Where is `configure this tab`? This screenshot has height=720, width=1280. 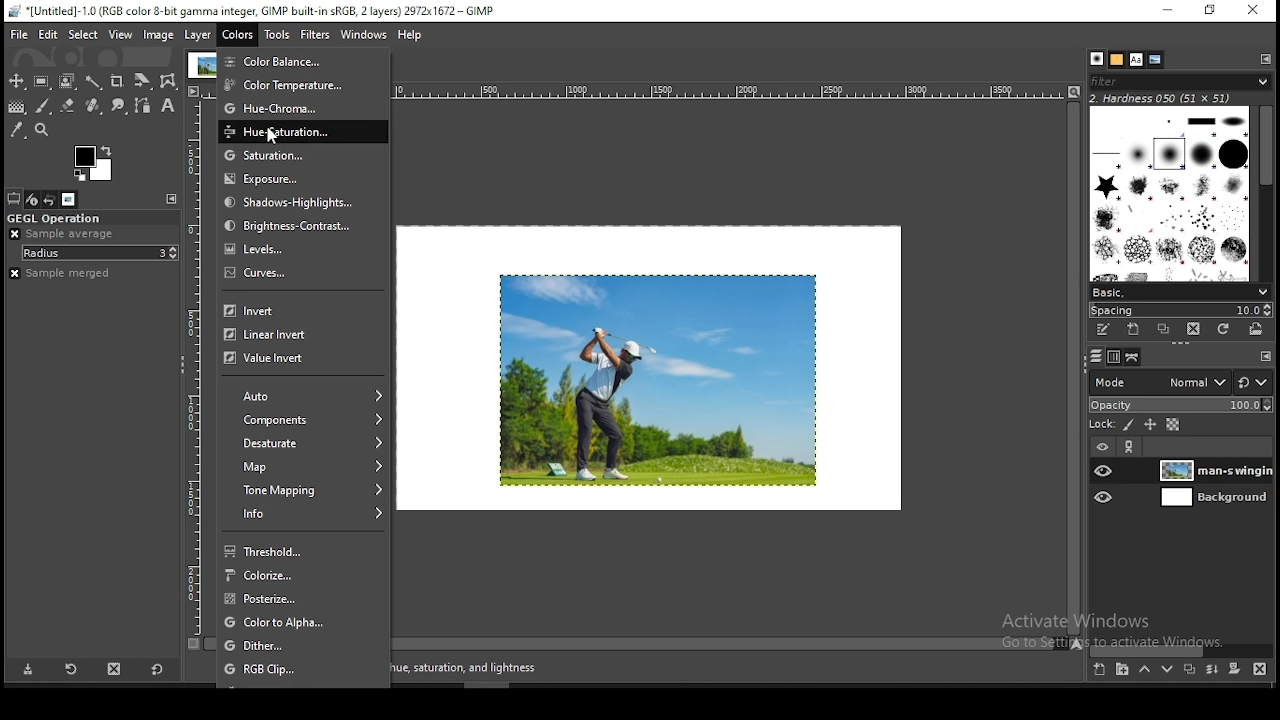
configure this tab is located at coordinates (172, 199).